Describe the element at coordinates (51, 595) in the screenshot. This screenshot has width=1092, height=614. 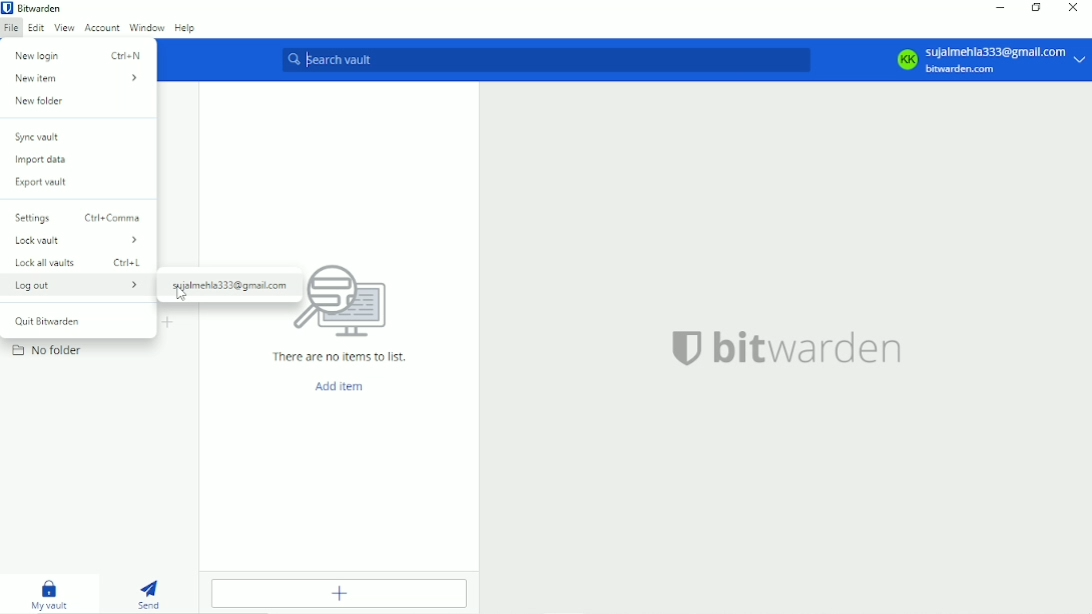
I see `My vault` at that location.